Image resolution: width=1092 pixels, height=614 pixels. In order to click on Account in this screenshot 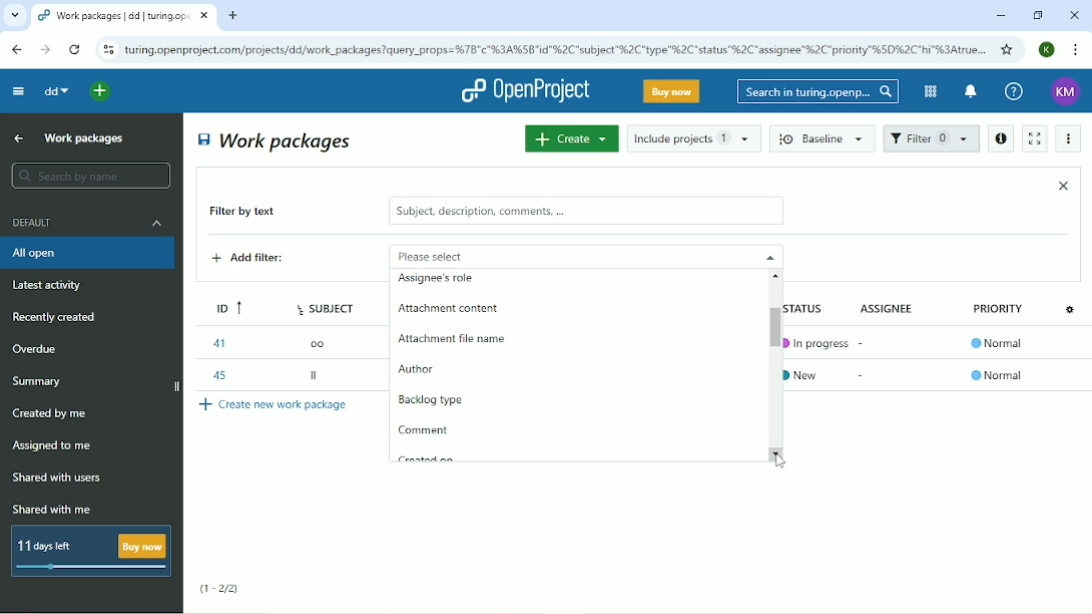, I will do `click(1066, 92)`.